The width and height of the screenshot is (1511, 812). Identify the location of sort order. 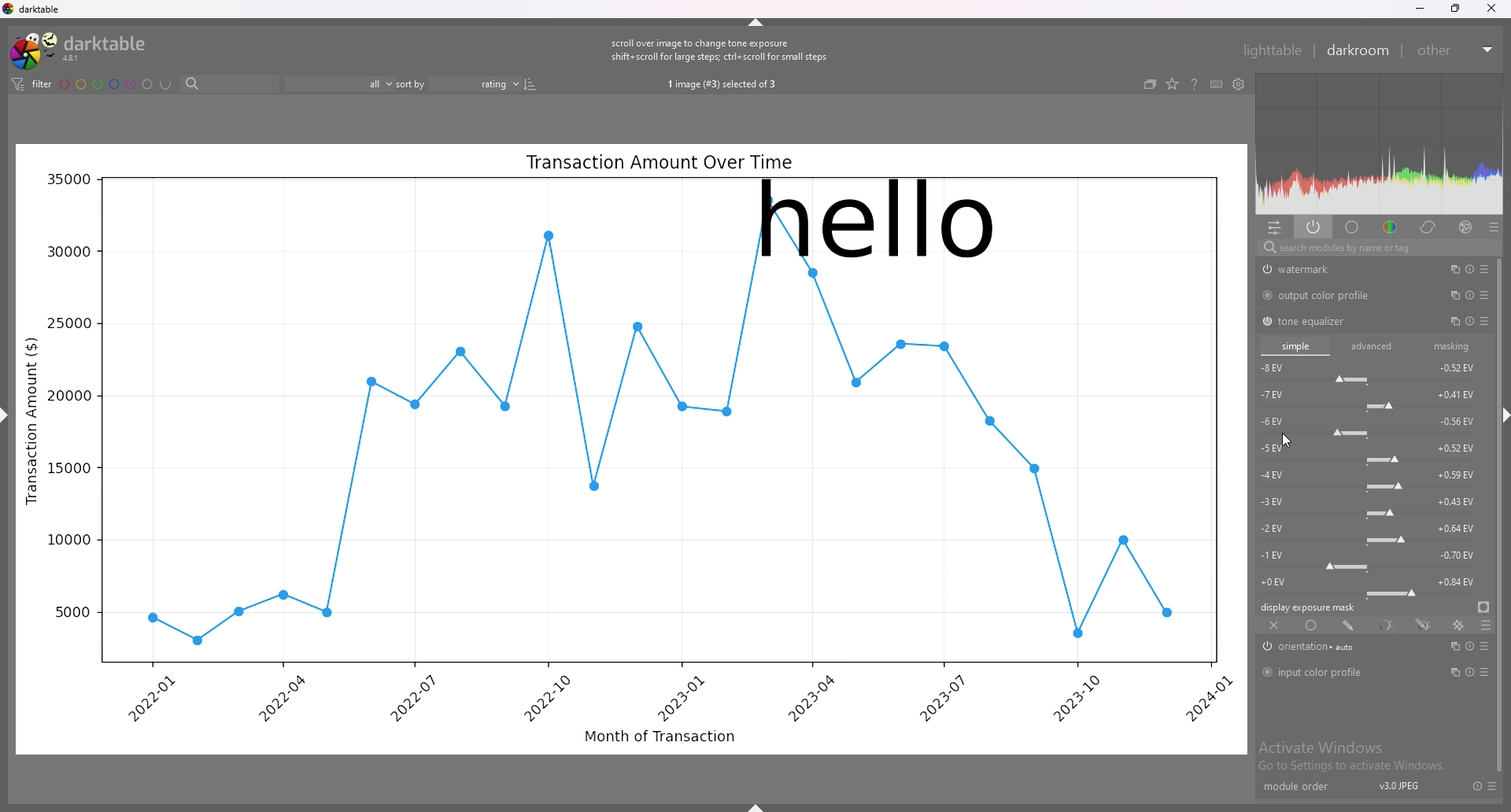
(475, 83).